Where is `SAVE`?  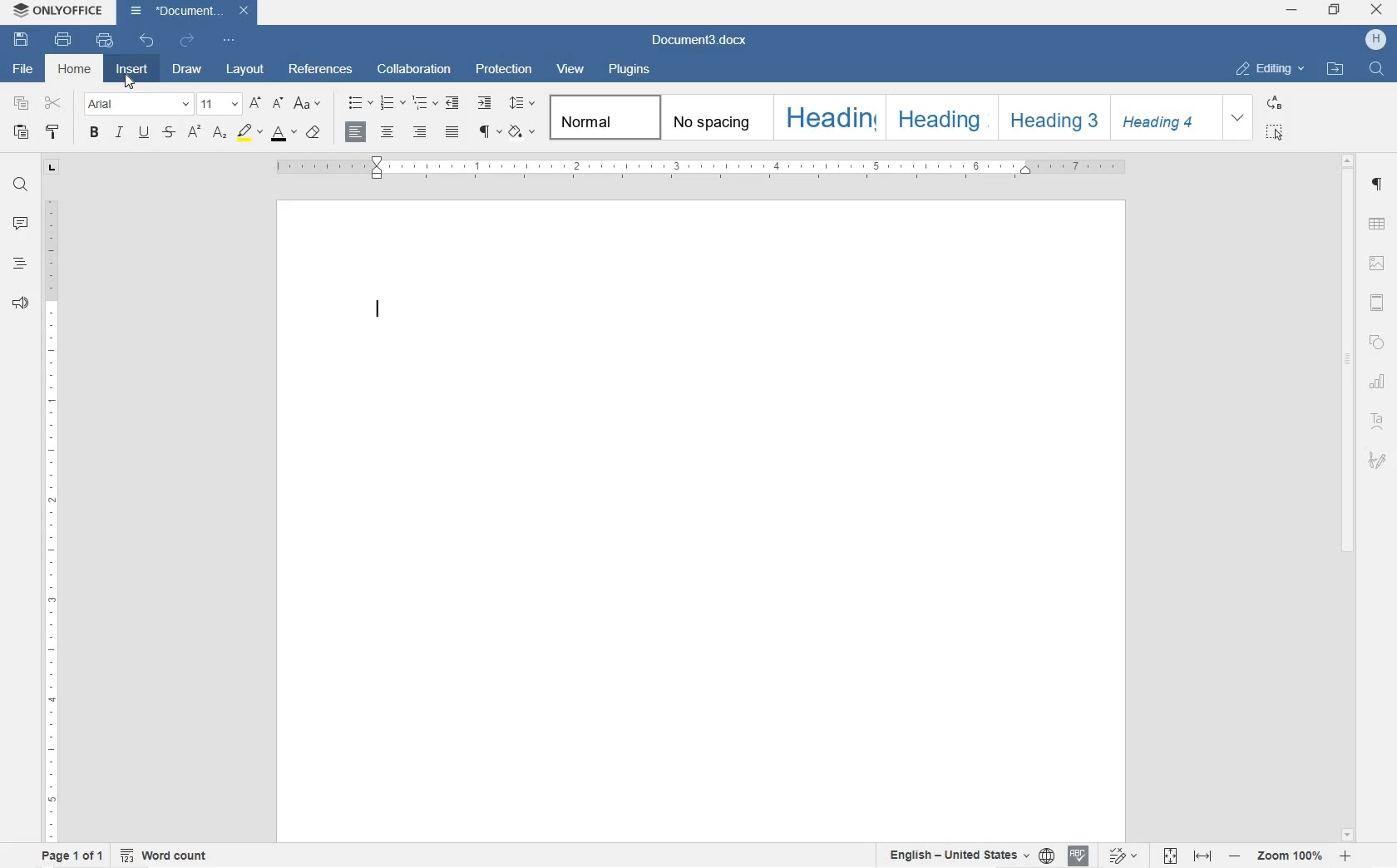
SAVE is located at coordinates (23, 37).